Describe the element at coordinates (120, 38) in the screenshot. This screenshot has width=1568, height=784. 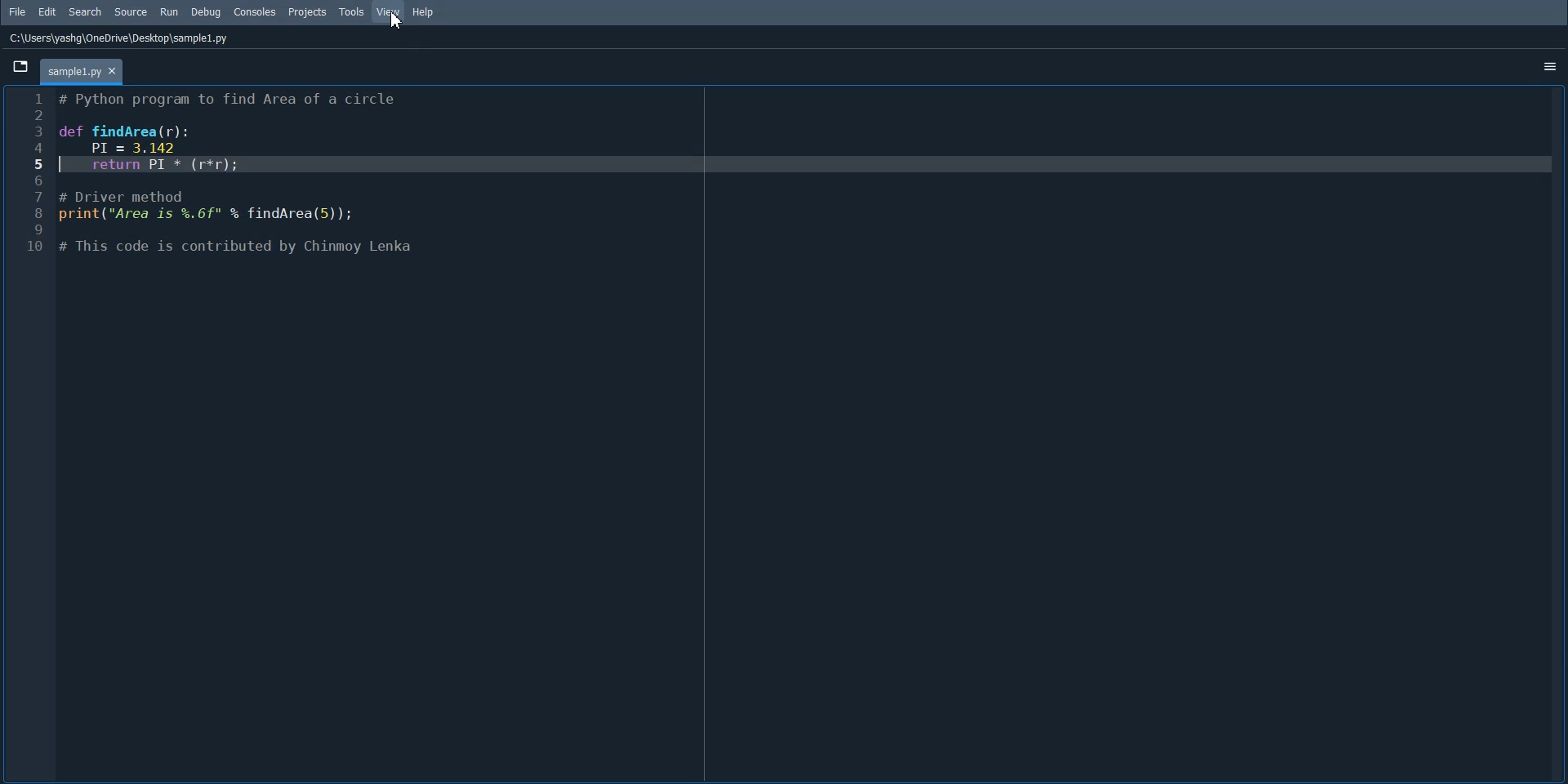
I see `File path address` at that location.